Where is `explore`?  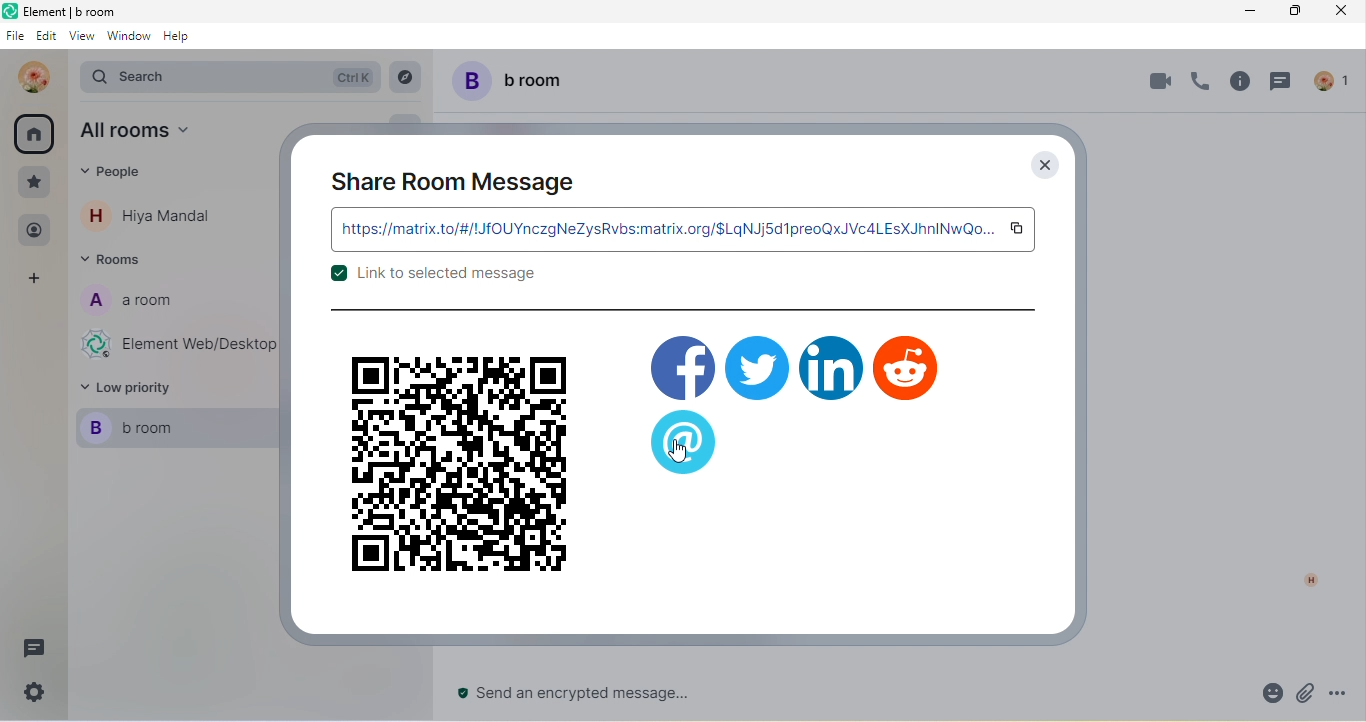 explore is located at coordinates (406, 77).